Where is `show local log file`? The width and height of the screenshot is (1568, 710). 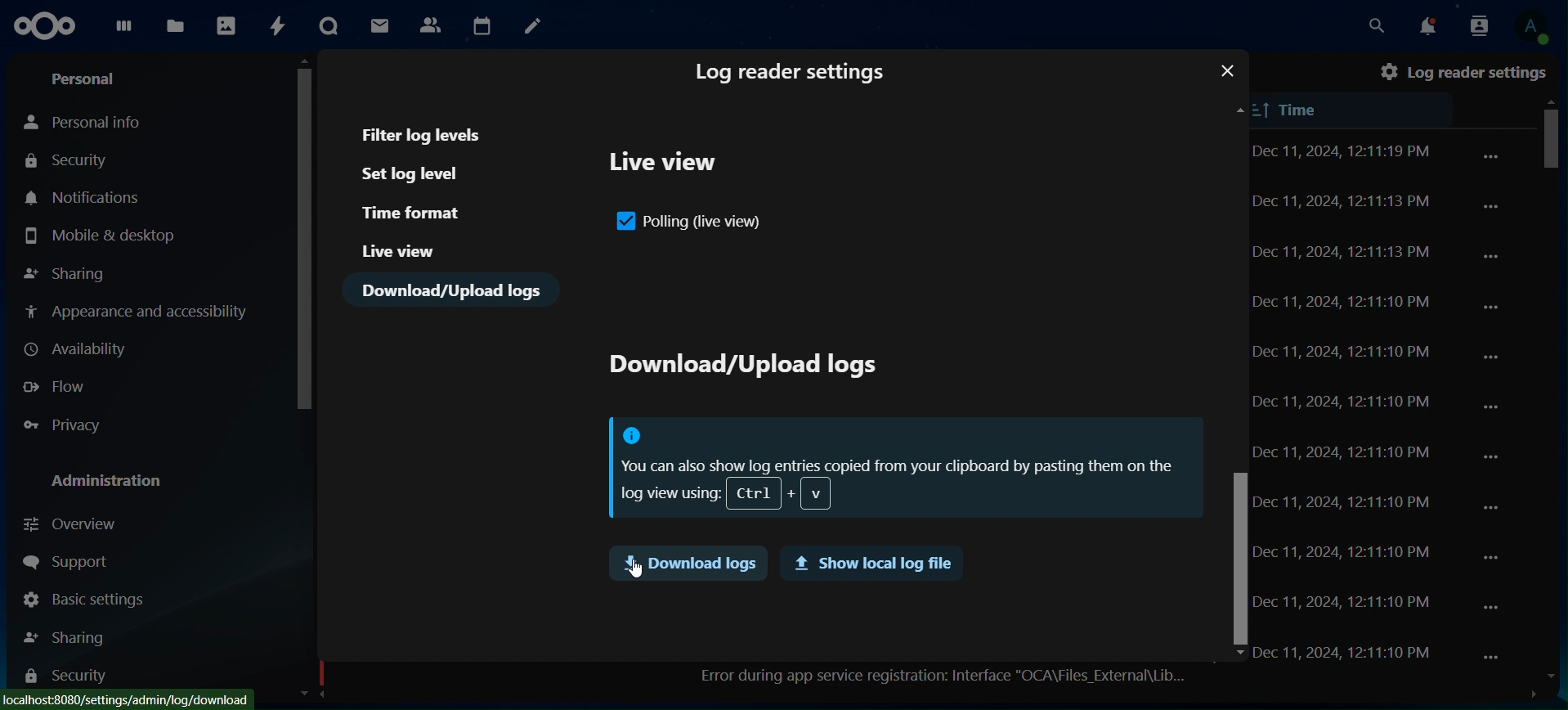 show local log file is located at coordinates (869, 564).